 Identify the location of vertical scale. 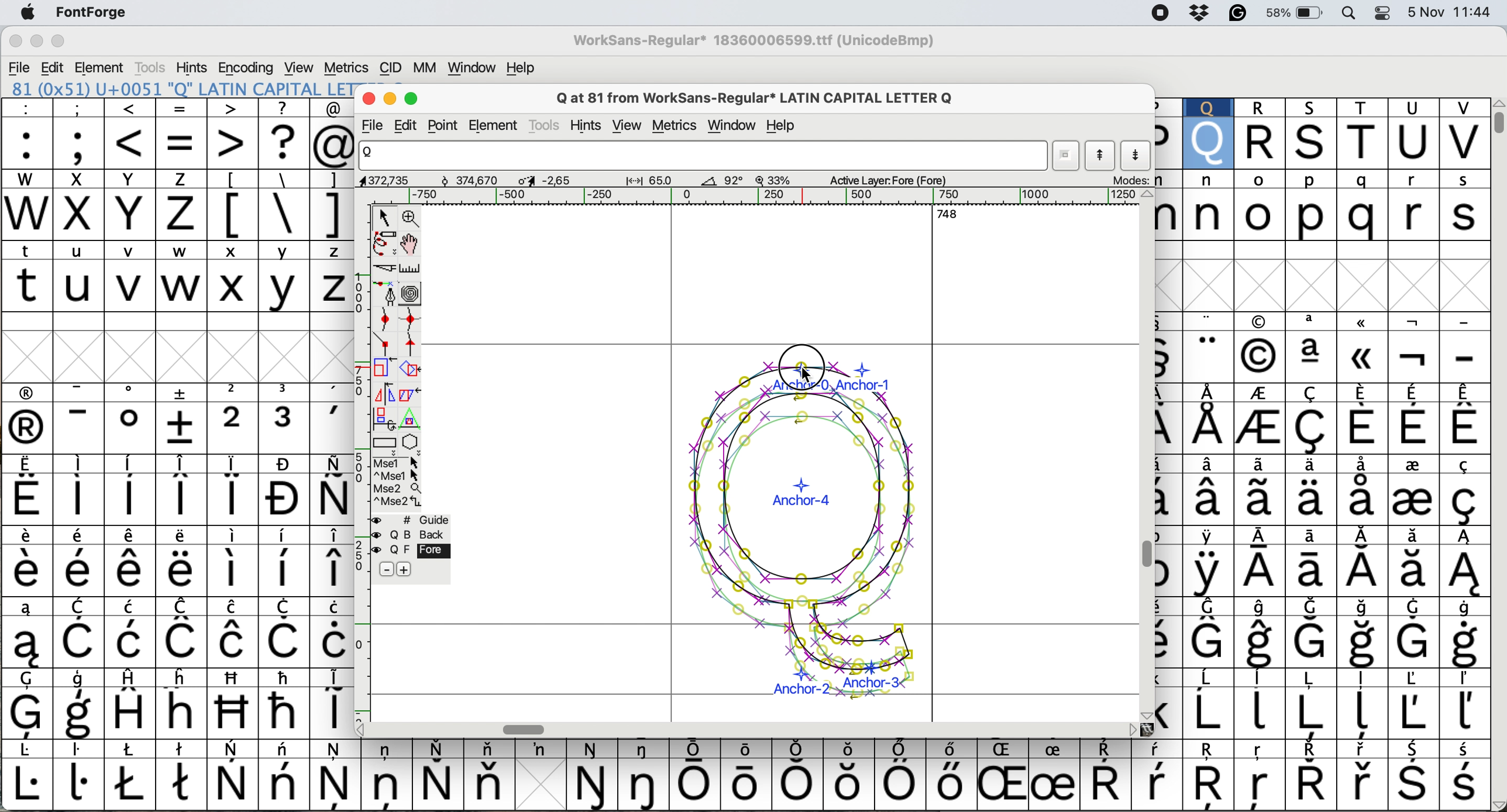
(356, 457).